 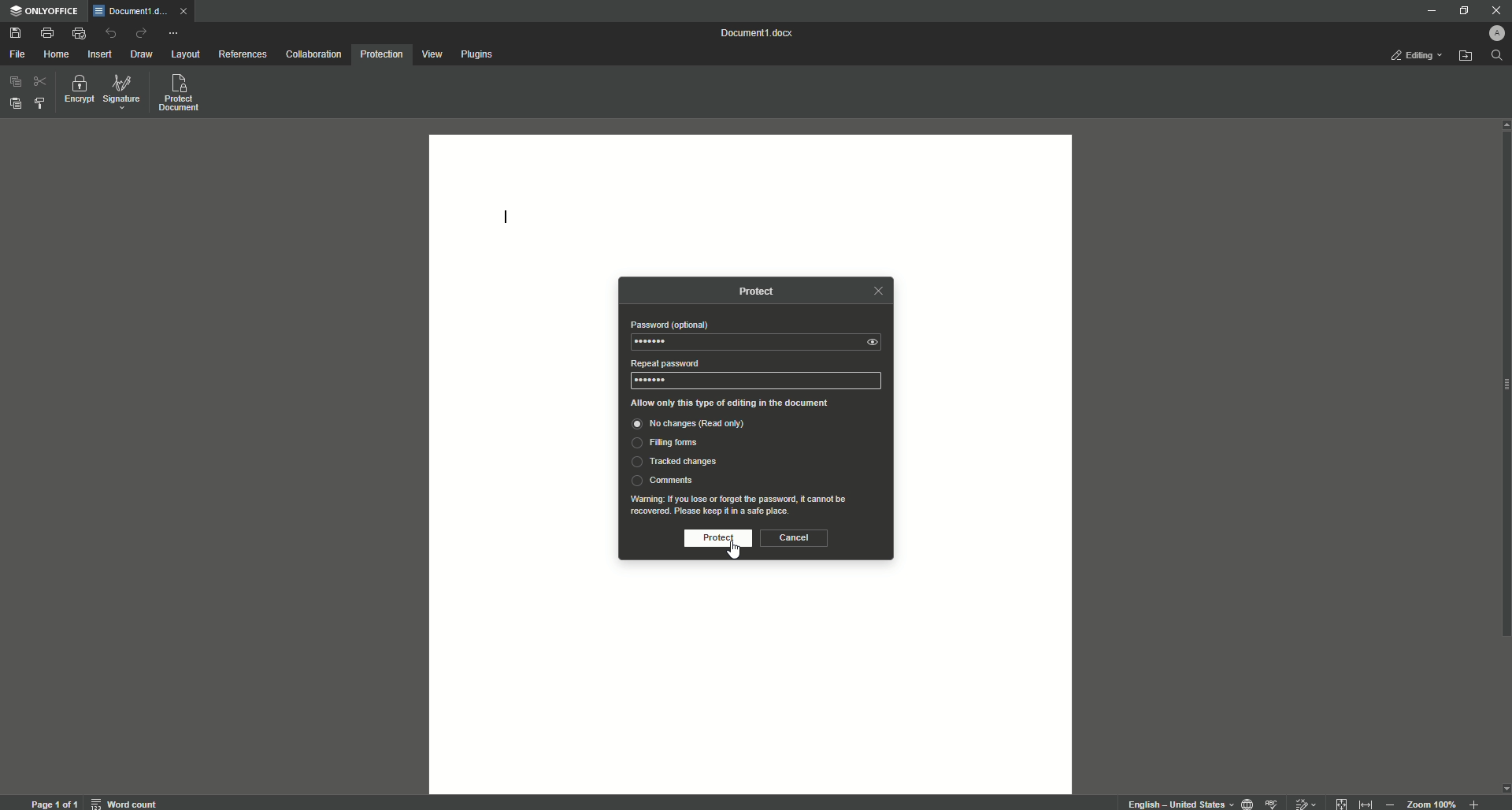 What do you see at coordinates (101, 54) in the screenshot?
I see `Insert` at bounding box center [101, 54].